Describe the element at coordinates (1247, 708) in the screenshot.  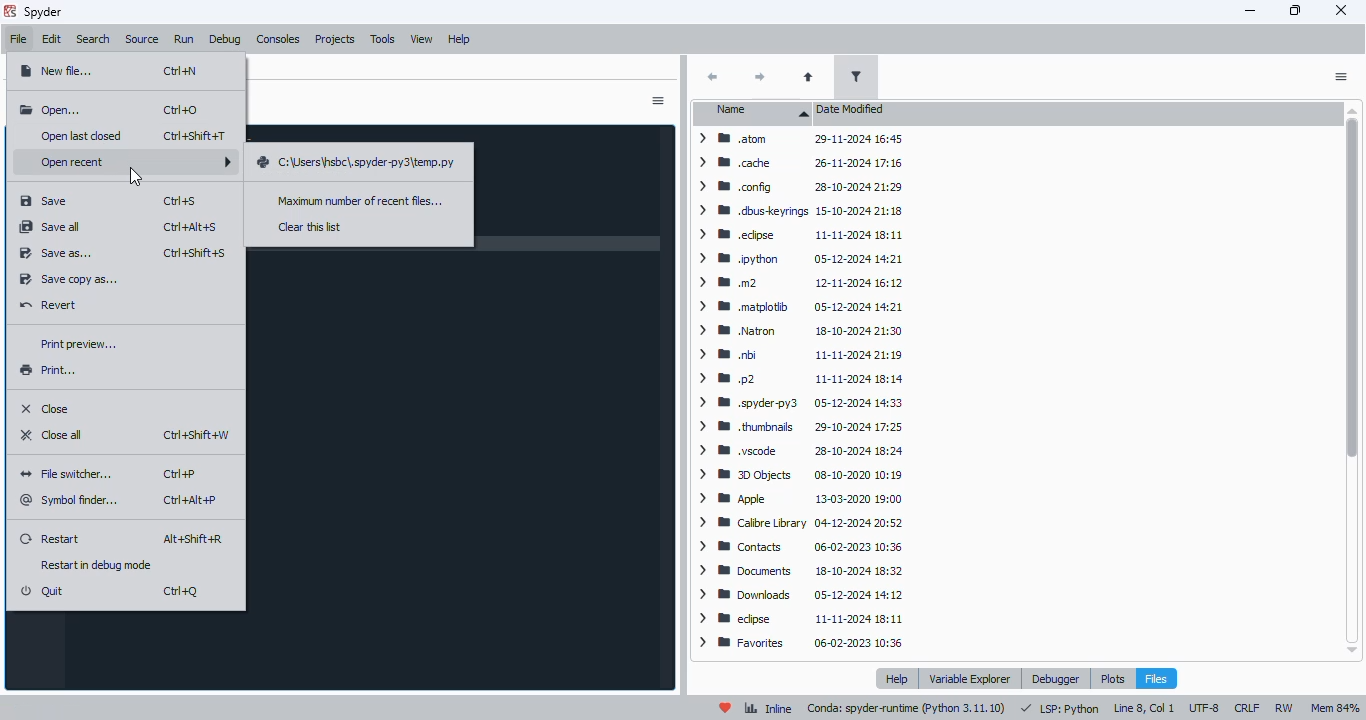
I see `CRLF` at that location.